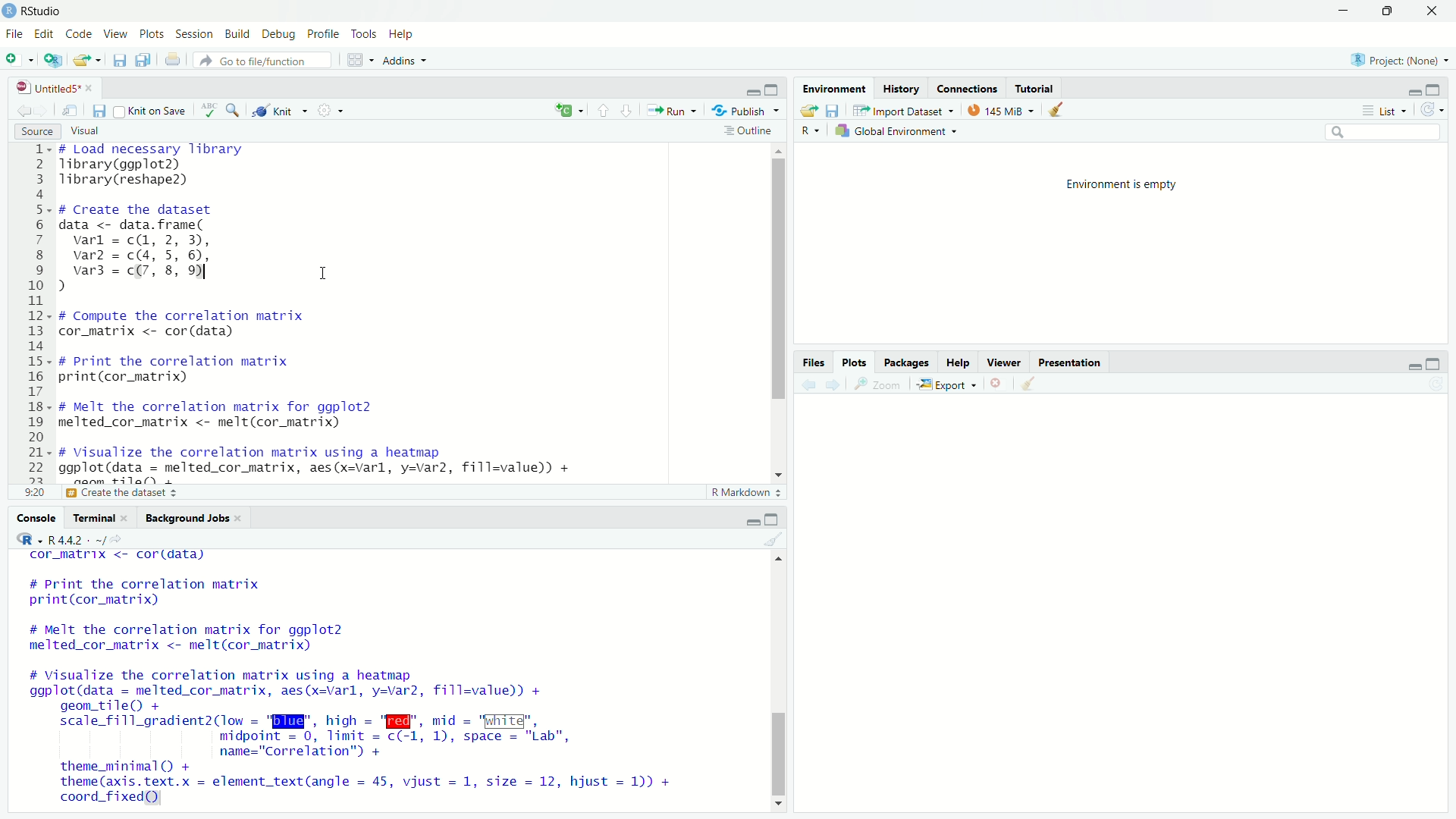 The width and height of the screenshot is (1456, 819). I want to click on help, so click(403, 35).